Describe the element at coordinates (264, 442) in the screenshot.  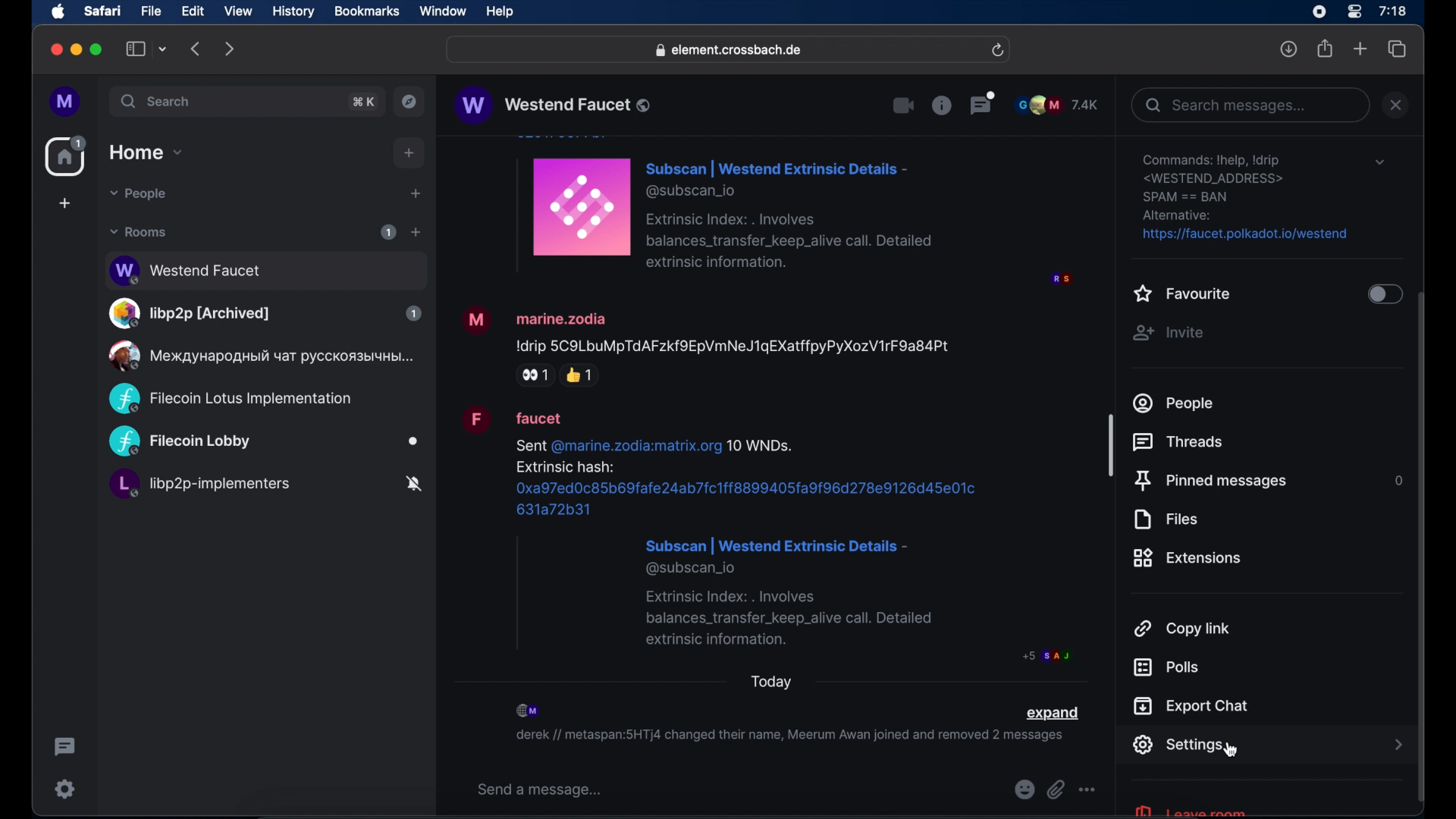
I see `public room` at that location.